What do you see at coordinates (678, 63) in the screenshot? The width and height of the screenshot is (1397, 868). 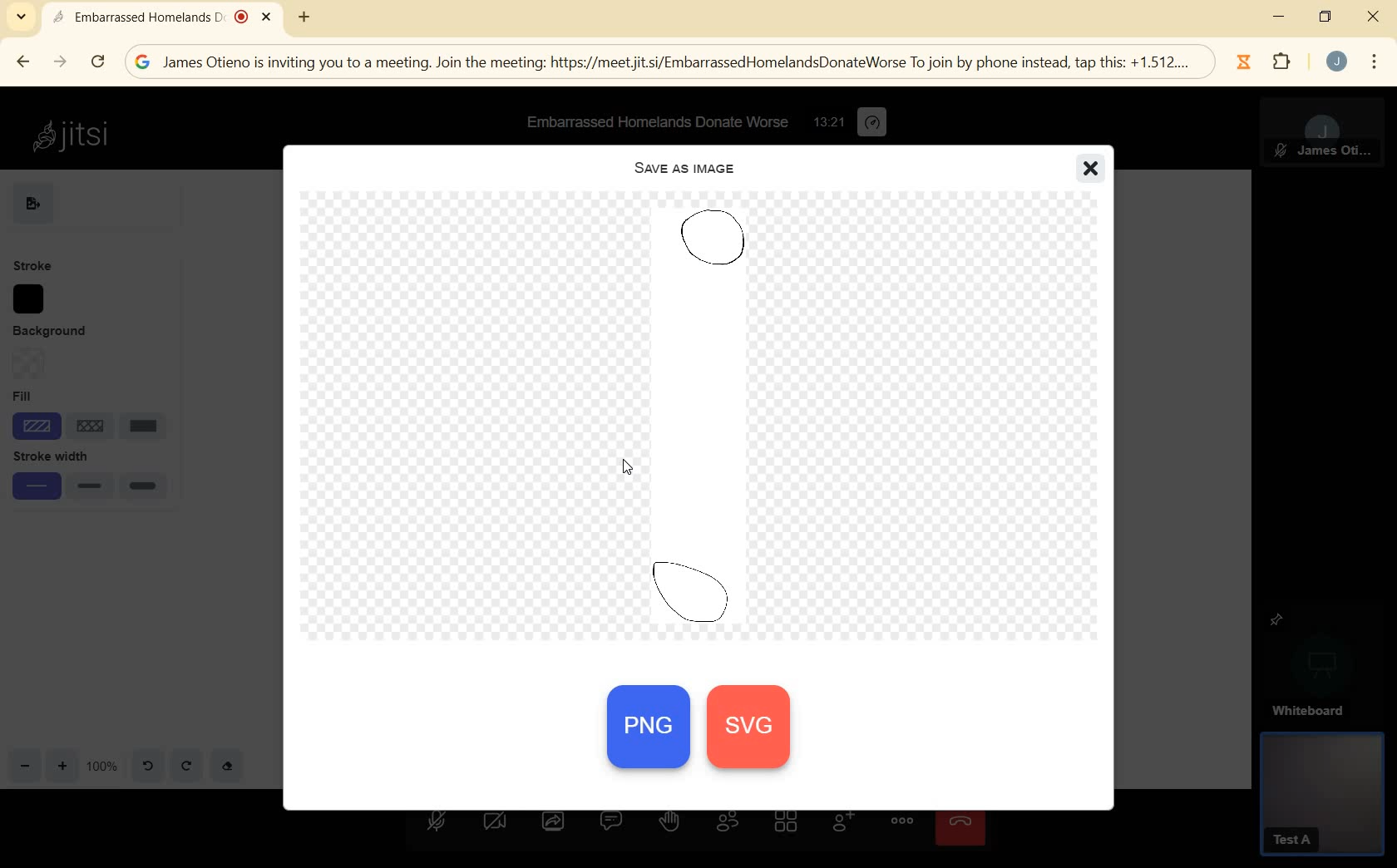 I see `; James Otieno is inviting you to a meeting. Join the meeting: https://meetiit.si/EmbarrassedHomelandsDonateWorse To join by phone instead, tap this: +1.512....` at bounding box center [678, 63].